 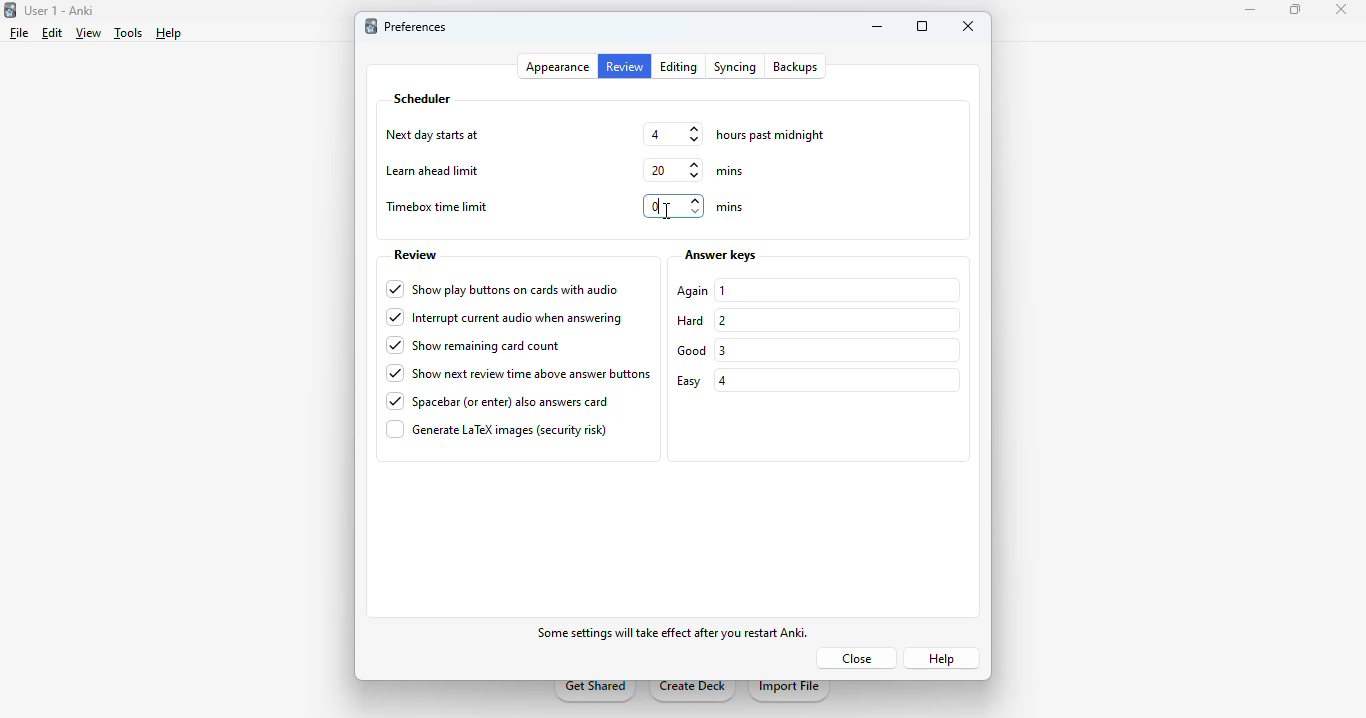 I want to click on close, so click(x=862, y=658).